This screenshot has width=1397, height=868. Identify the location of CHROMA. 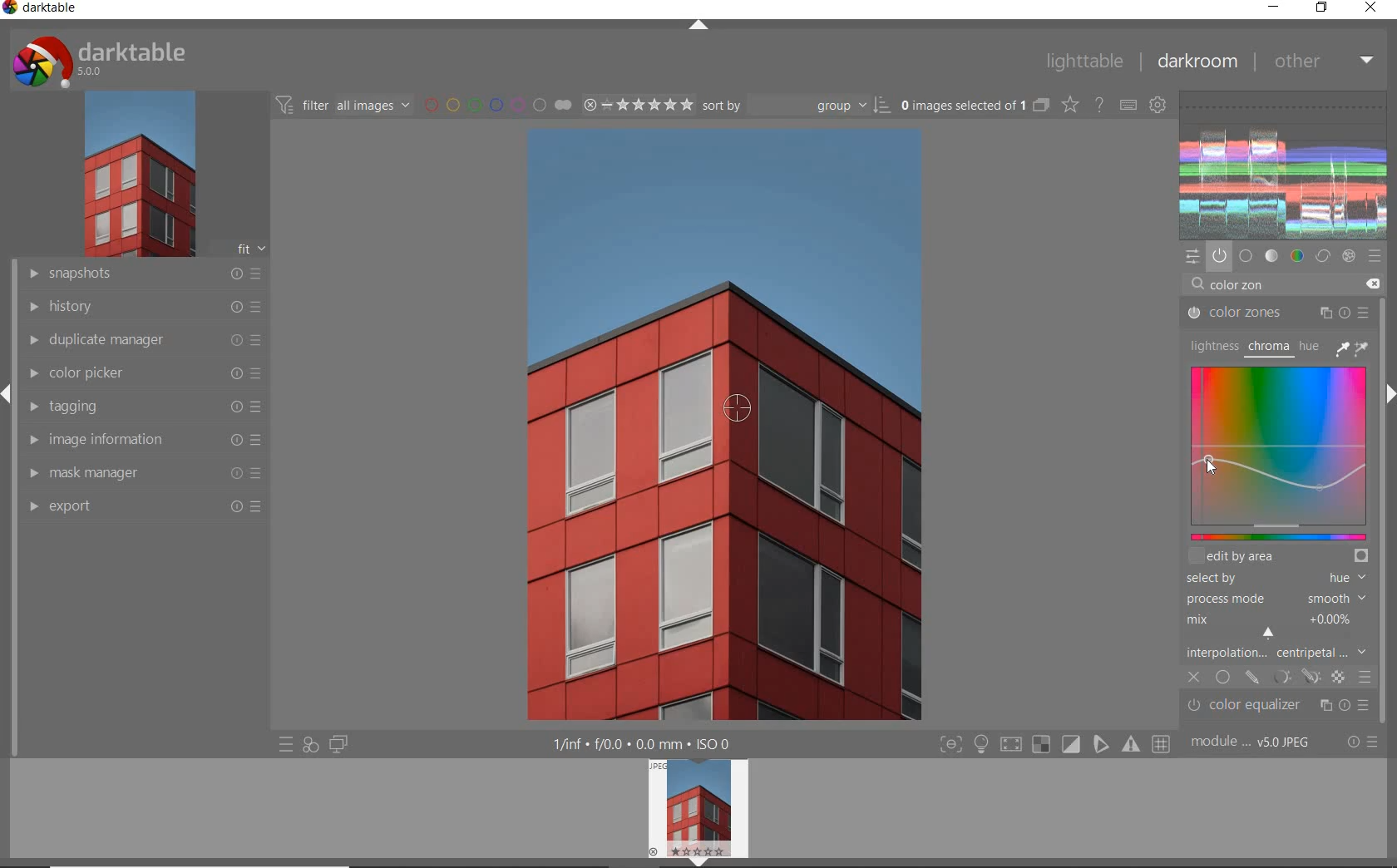
(1267, 348).